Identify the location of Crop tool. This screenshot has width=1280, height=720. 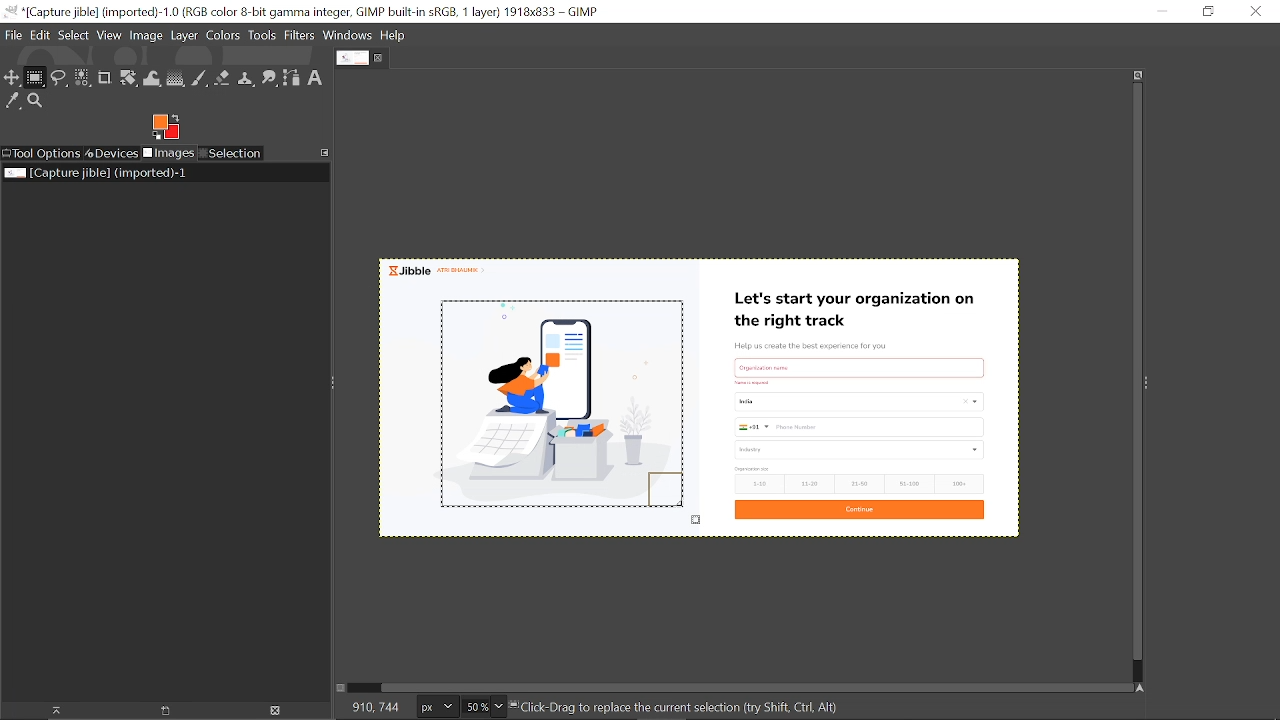
(104, 79).